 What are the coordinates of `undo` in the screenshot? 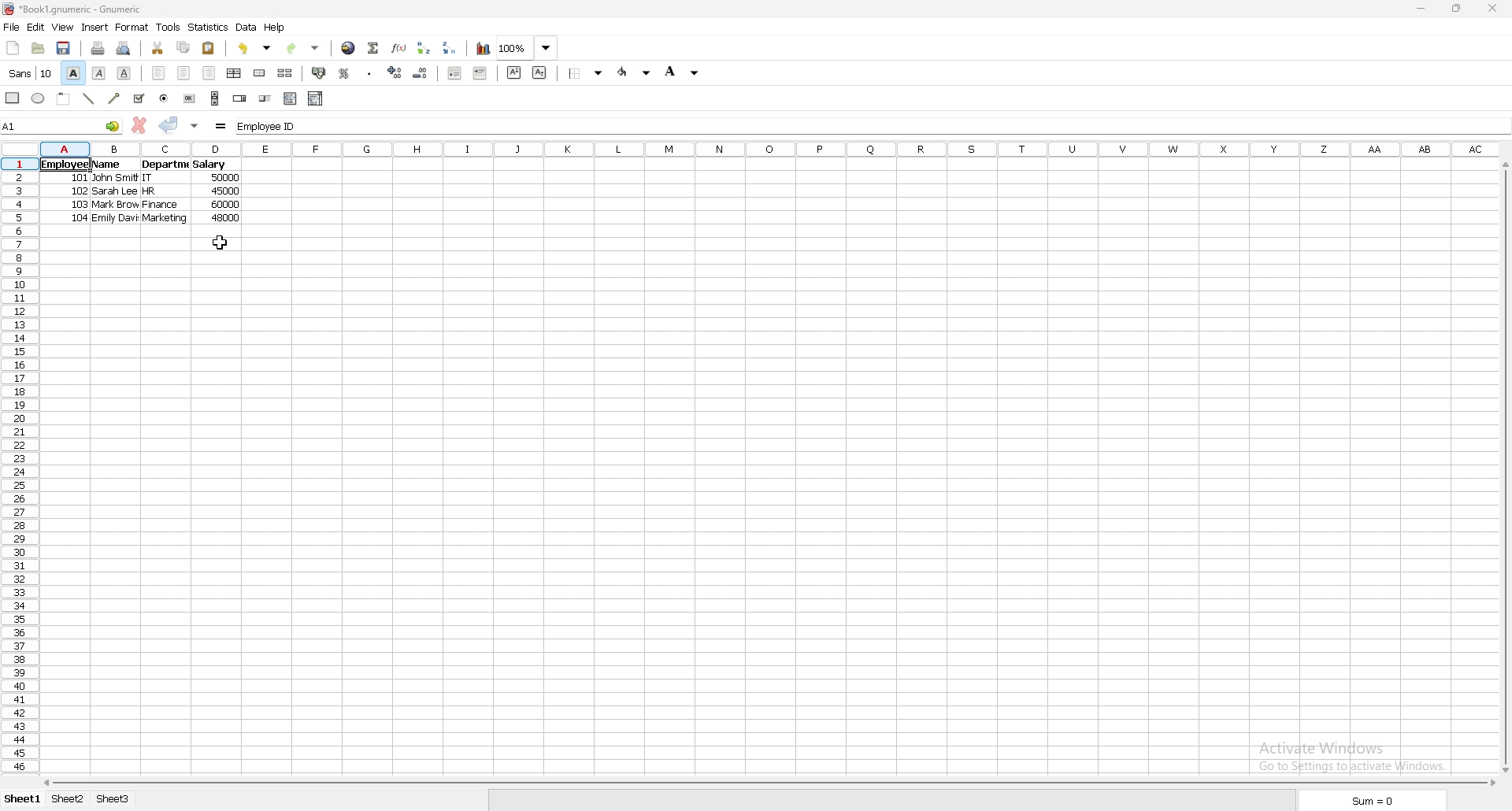 It's located at (255, 48).